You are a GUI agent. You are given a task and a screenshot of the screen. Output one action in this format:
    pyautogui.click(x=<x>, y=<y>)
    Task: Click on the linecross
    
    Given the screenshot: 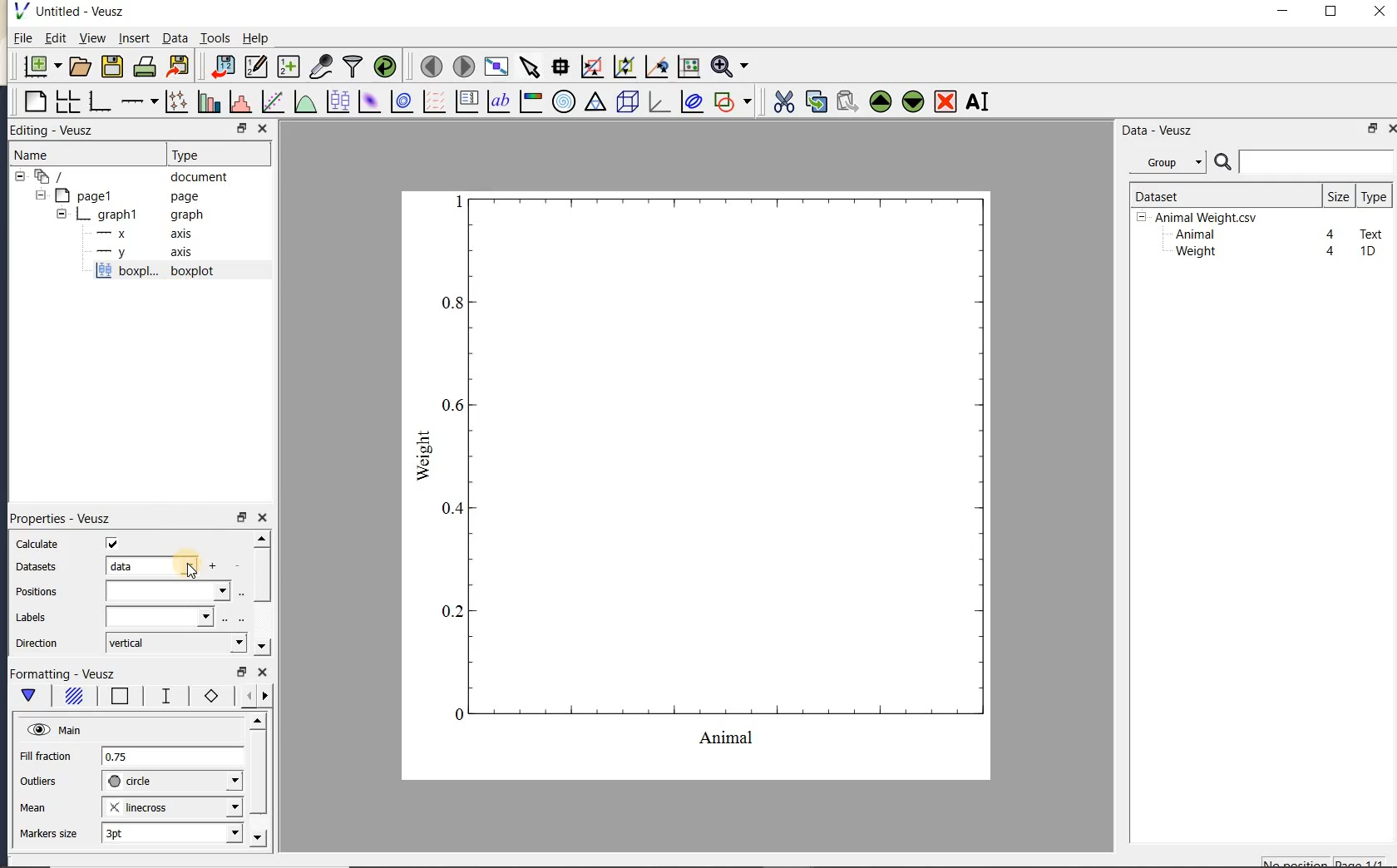 What is the action you would take?
    pyautogui.click(x=170, y=806)
    